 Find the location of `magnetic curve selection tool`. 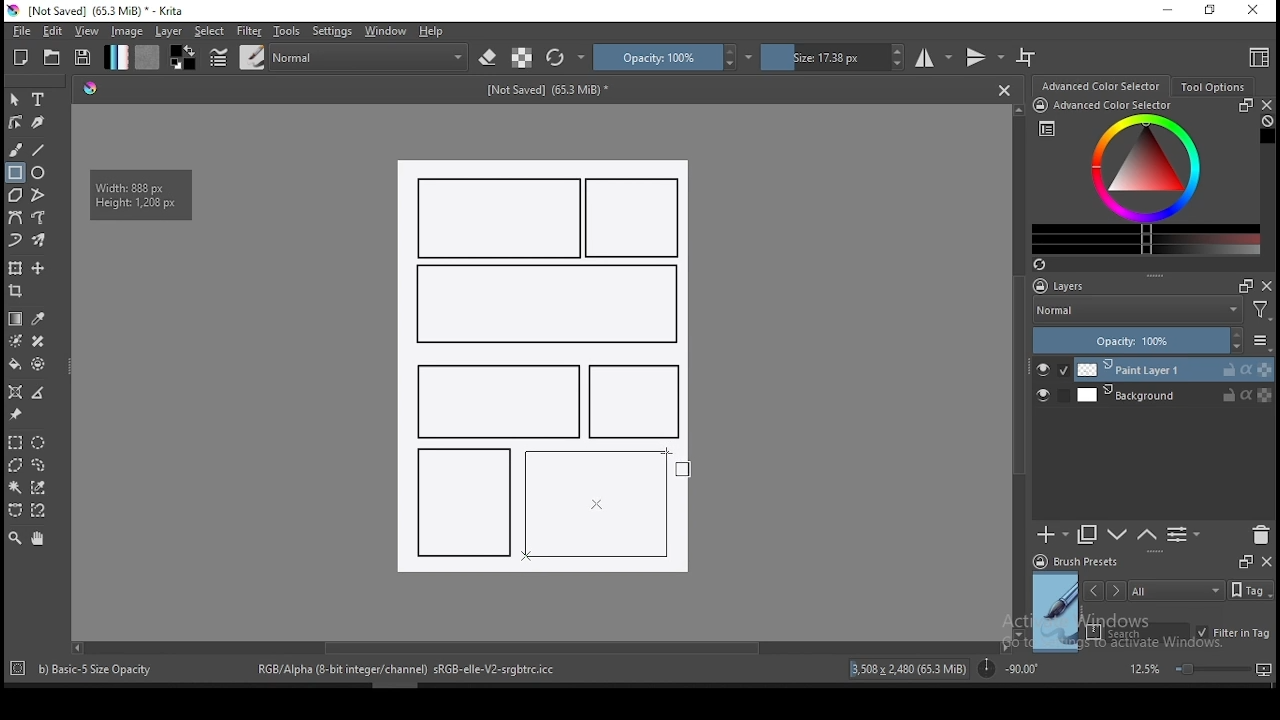

magnetic curve selection tool is located at coordinates (36, 510).